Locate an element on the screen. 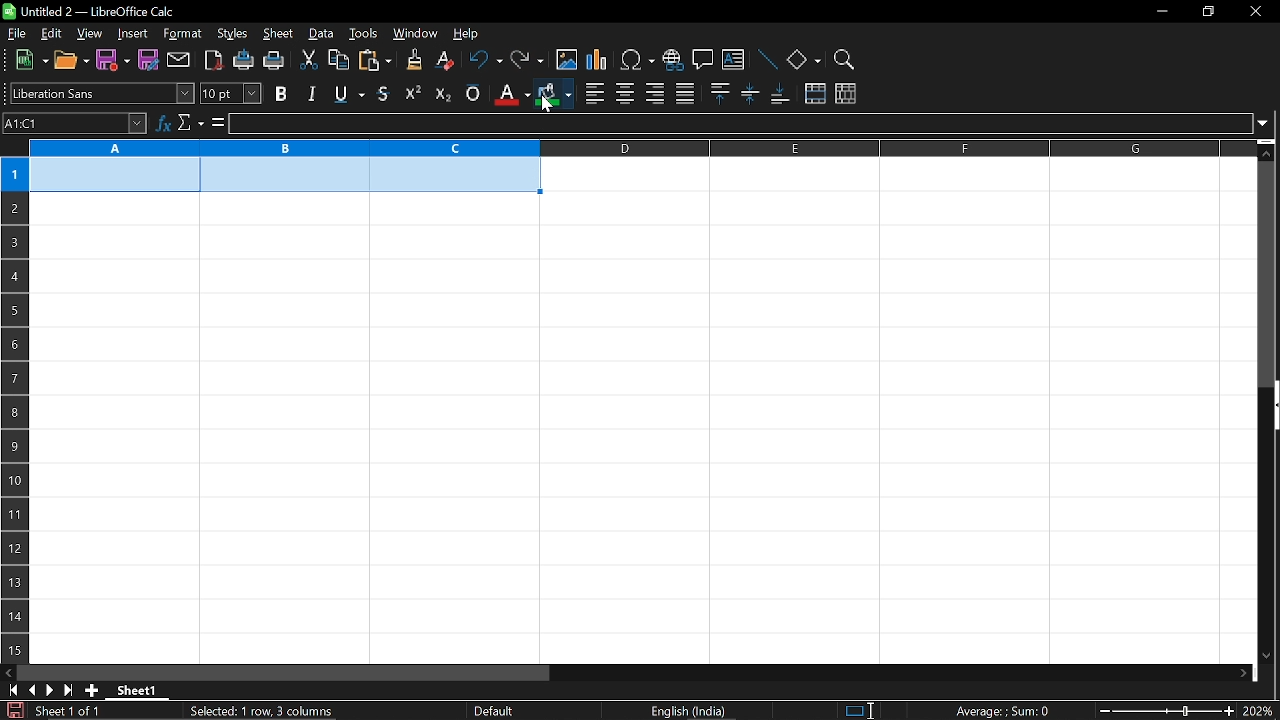 This screenshot has height=720, width=1280. undo is located at coordinates (484, 61).